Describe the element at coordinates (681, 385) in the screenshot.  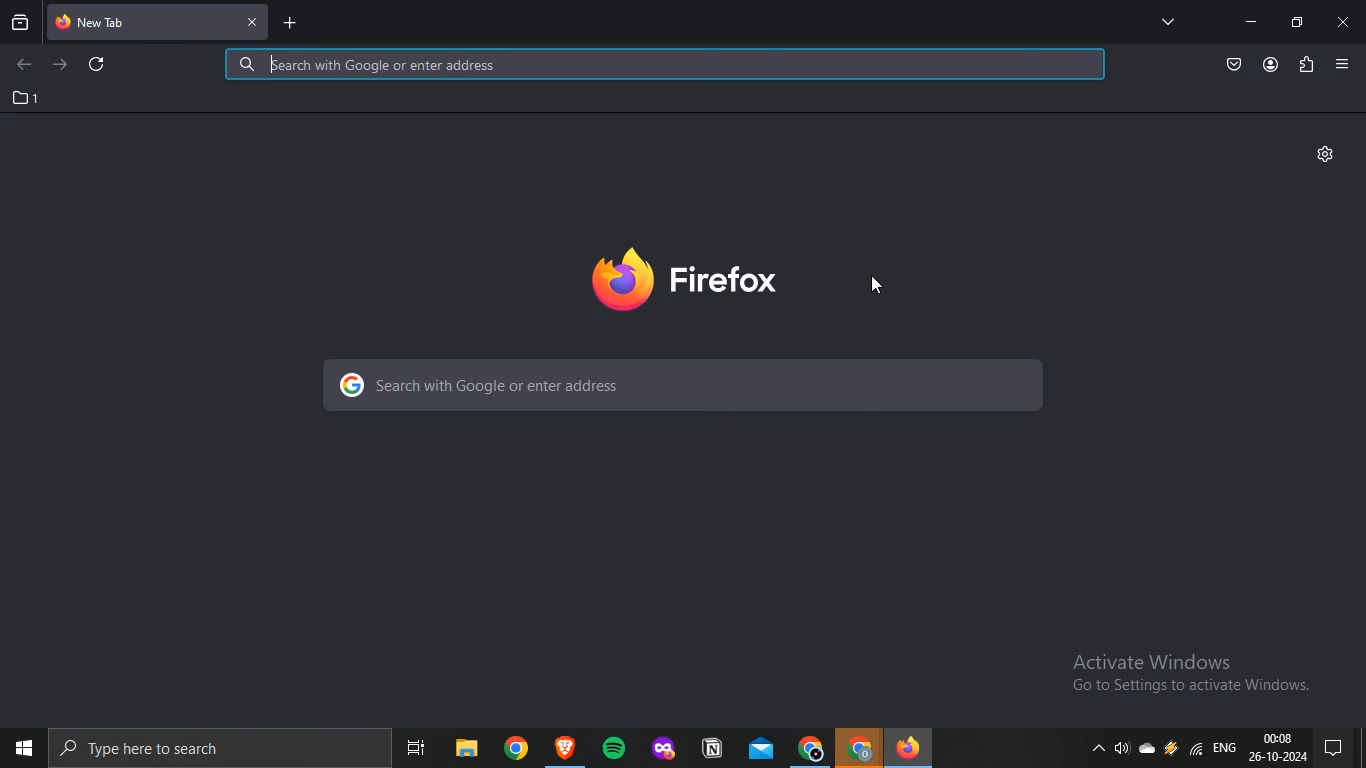
I see `search with google or enter address` at that location.